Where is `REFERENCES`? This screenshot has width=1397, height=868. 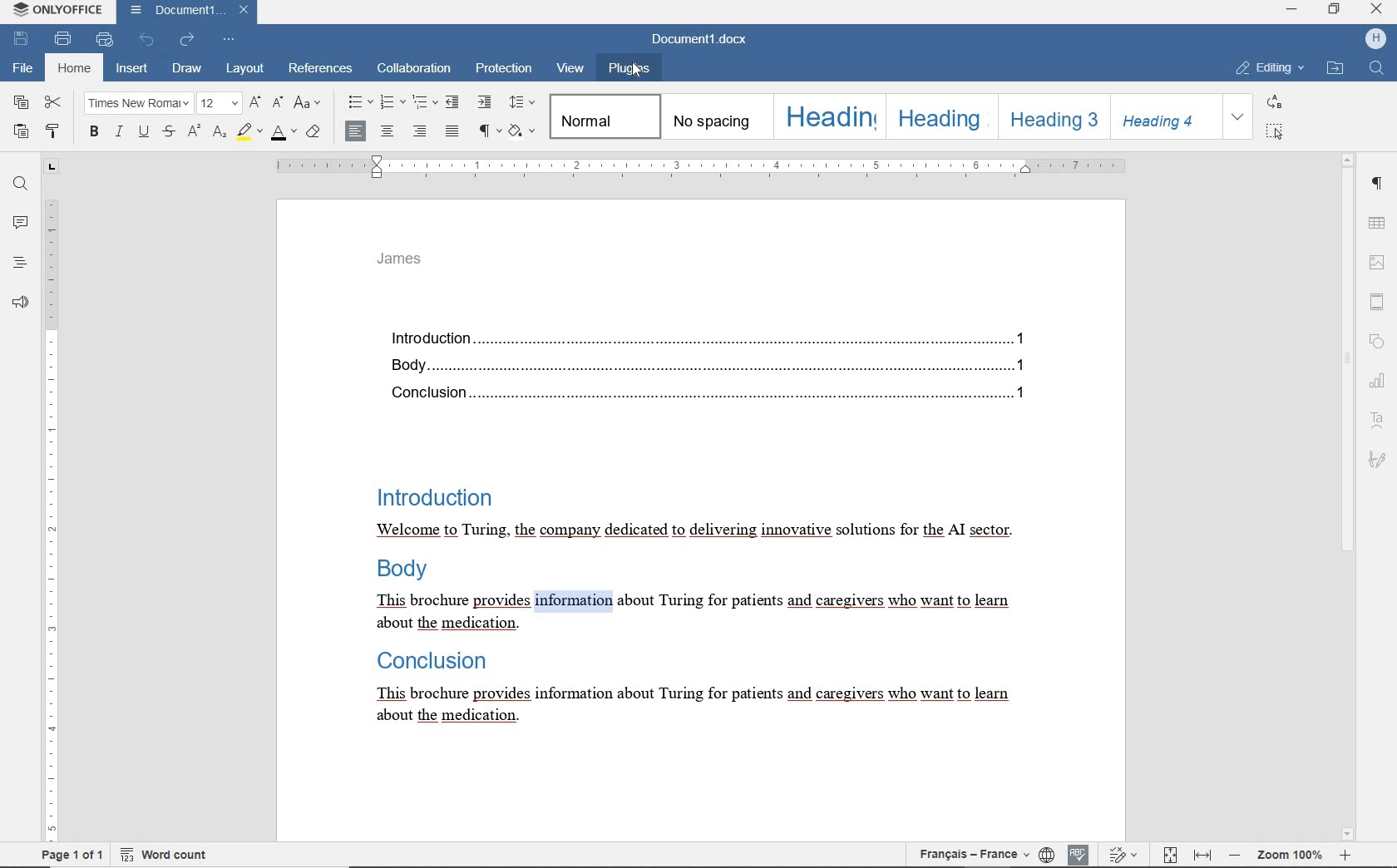 REFERENCES is located at coordinates (322, 70).